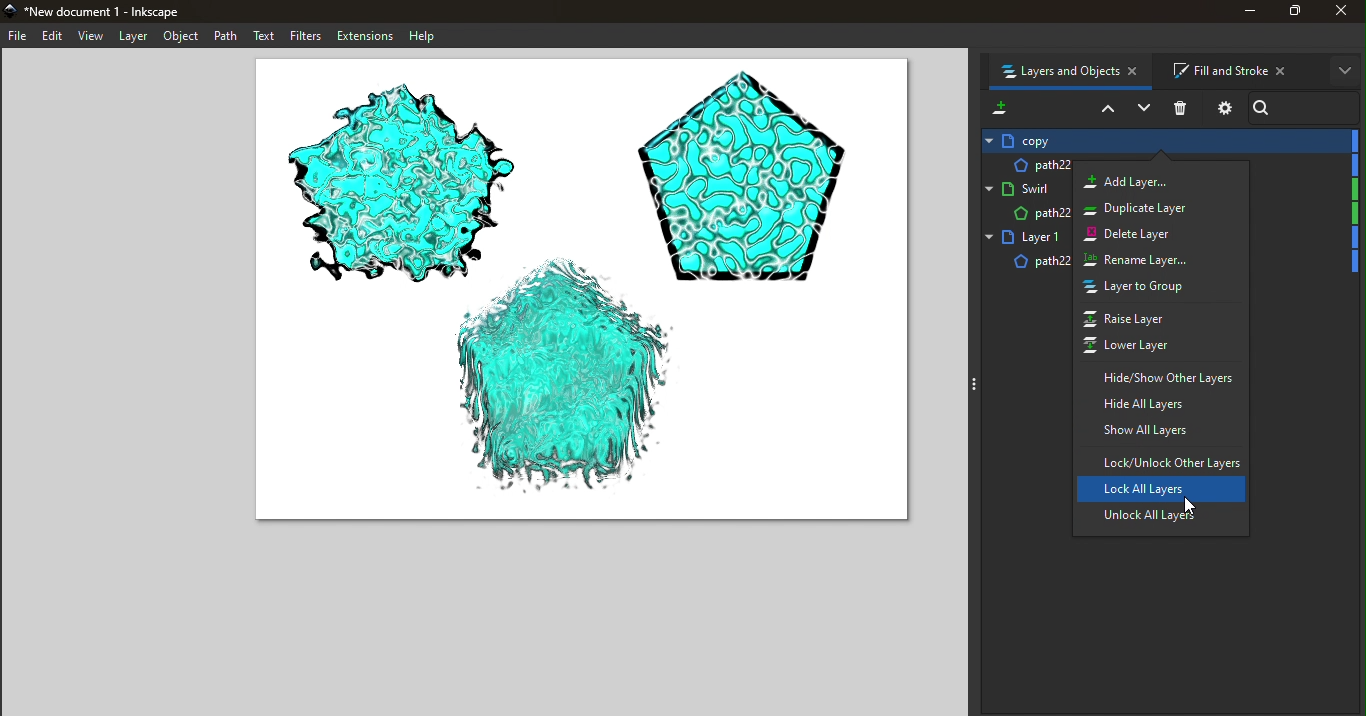 The image size is (1366, 716). I want to click on Delete layer, so click(1155, 235).